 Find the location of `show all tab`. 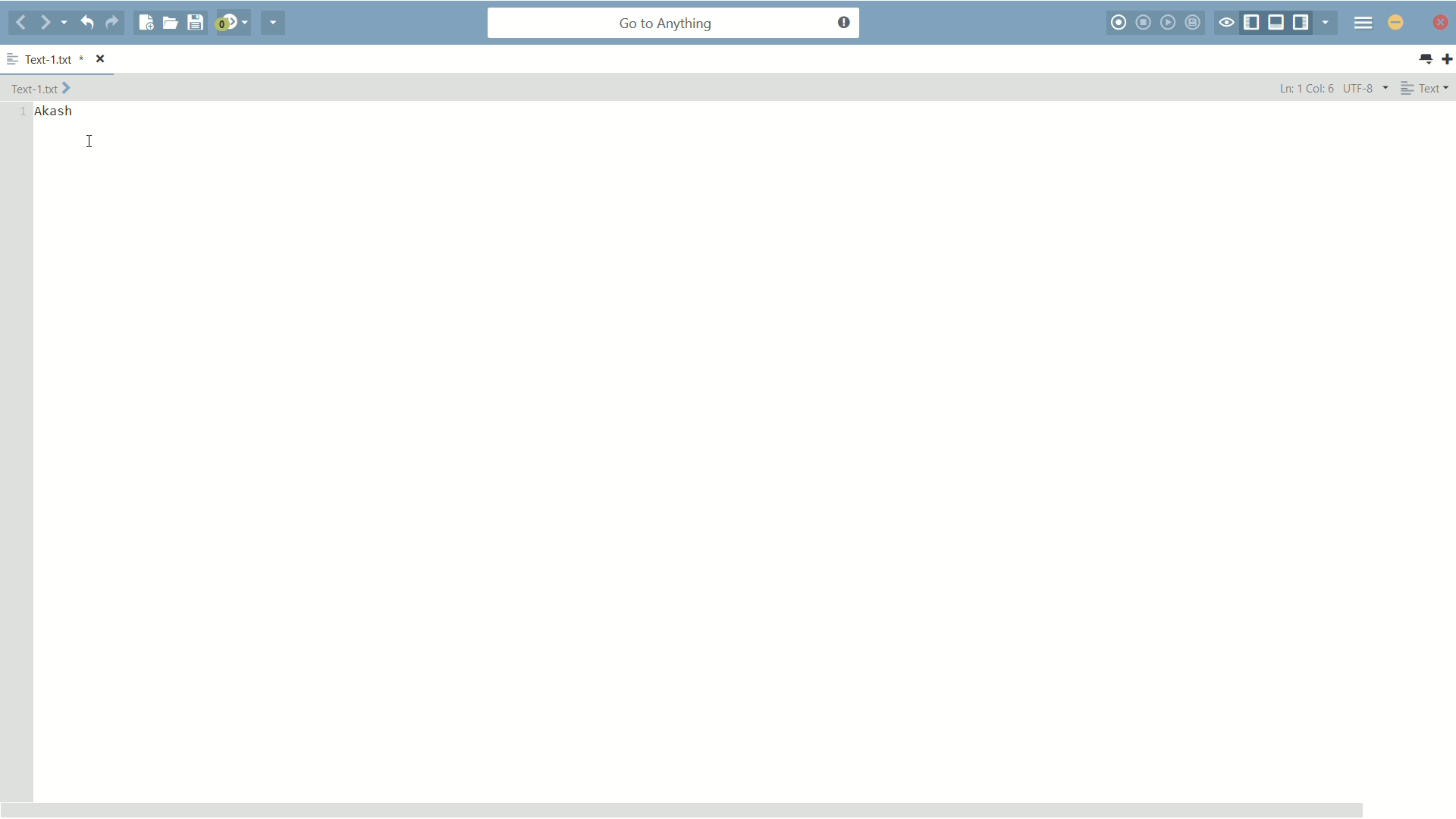

show all tab is located at coordinates (1426, 60).